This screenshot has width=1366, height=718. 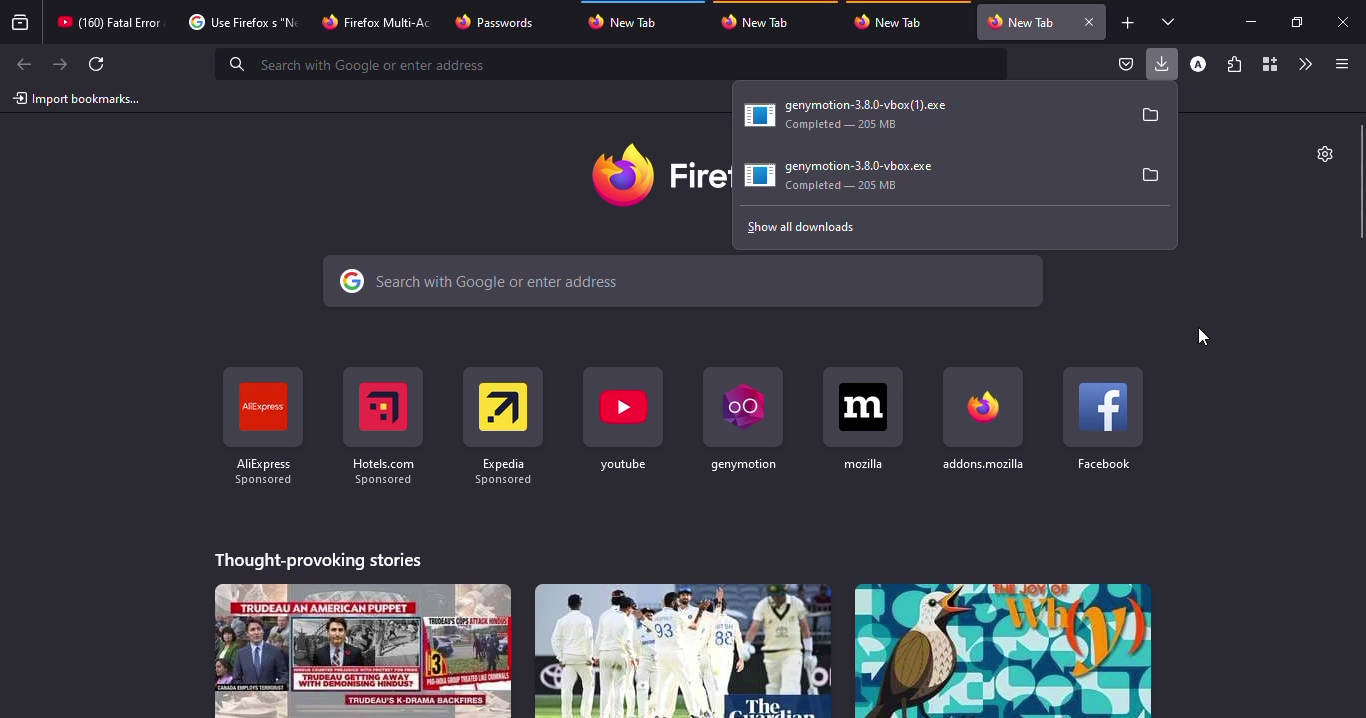 What do you see at coordinates (109, 22) in the screenshot?
I see `tab` at bounding box center [109, 22].